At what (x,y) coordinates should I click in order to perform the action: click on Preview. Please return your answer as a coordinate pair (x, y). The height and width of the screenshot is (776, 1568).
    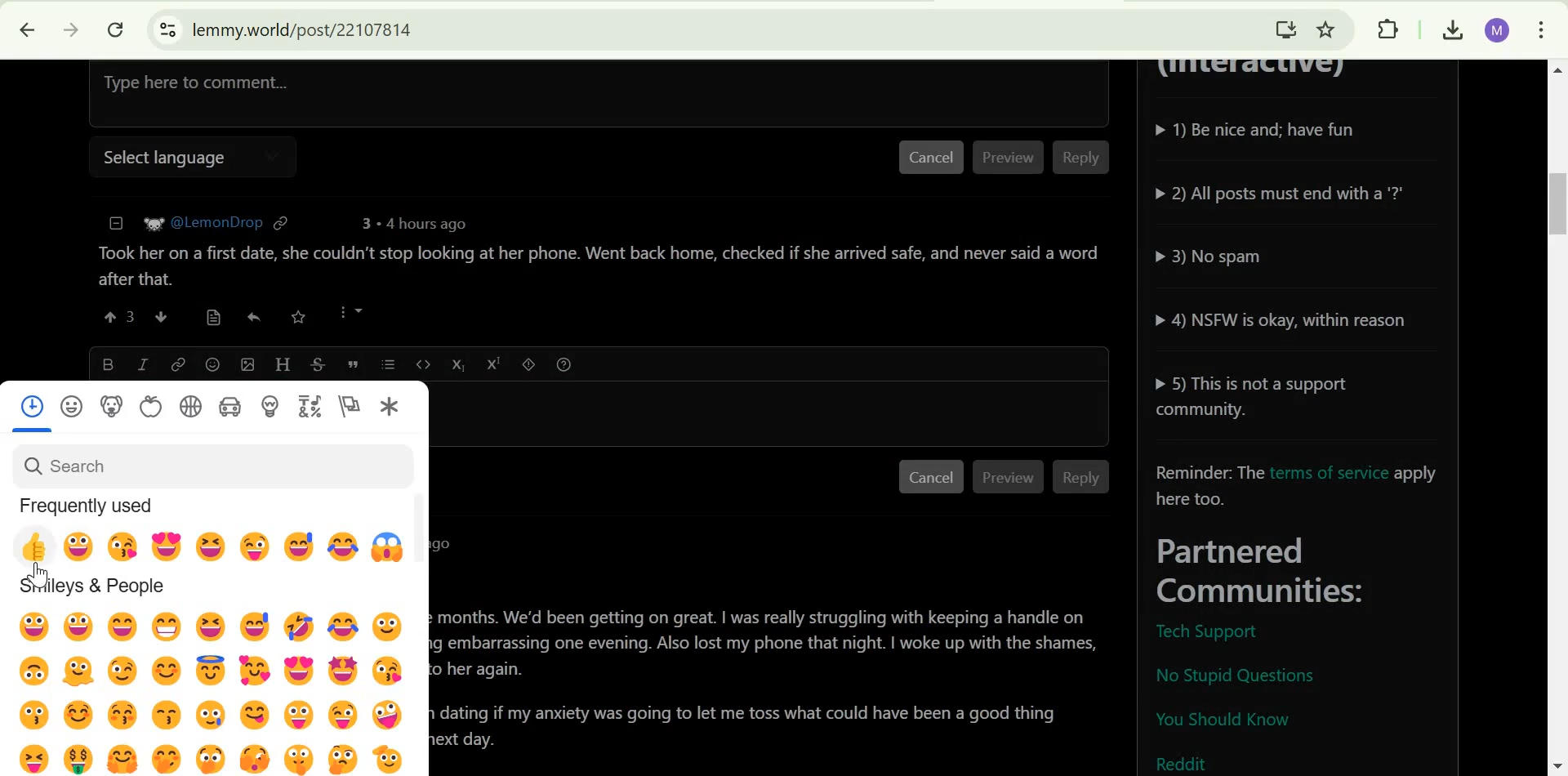
    Looking at the image, I should click on (1009, 158).